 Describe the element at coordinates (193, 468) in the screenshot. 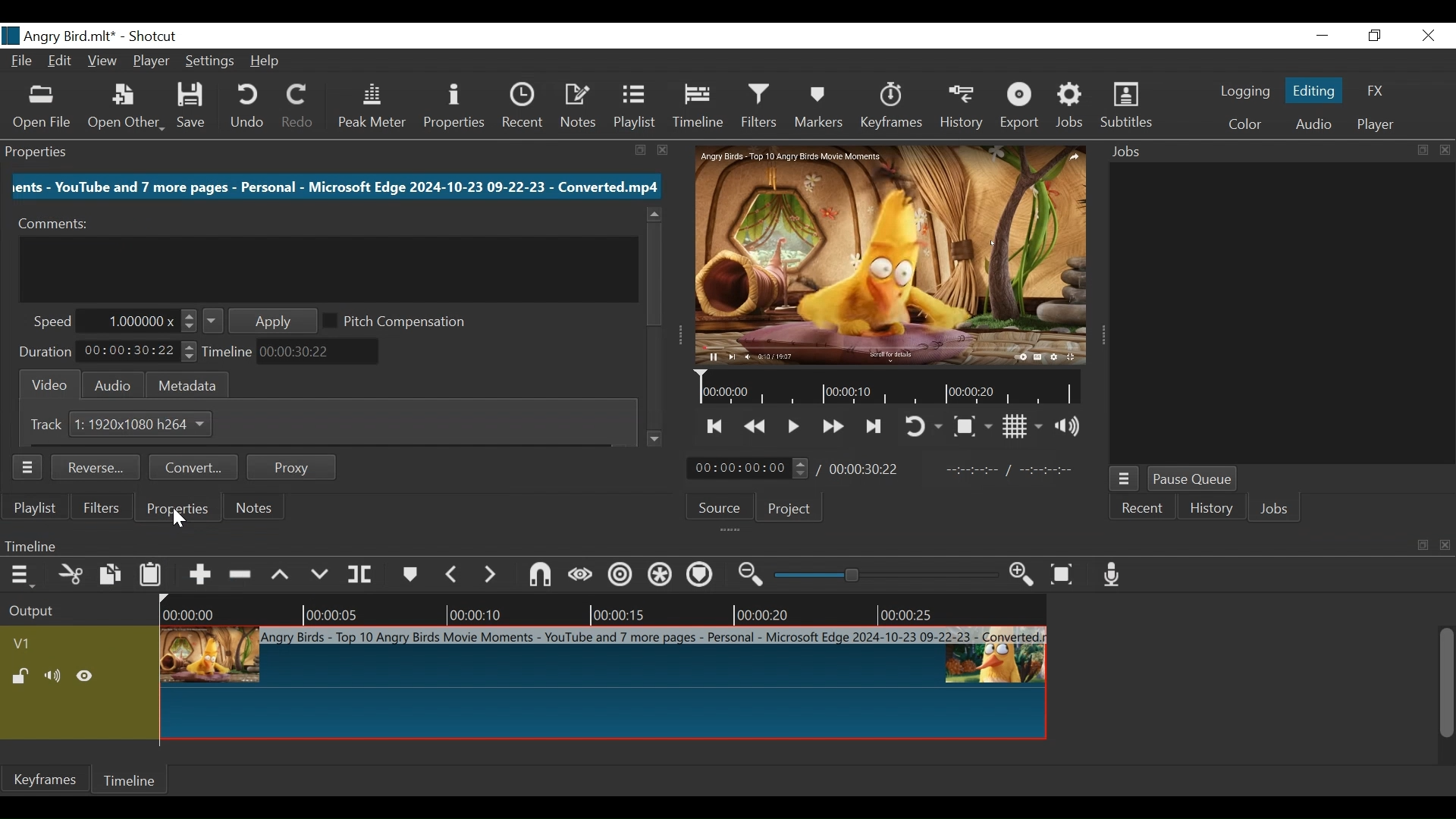

I see `Convert` at that location.